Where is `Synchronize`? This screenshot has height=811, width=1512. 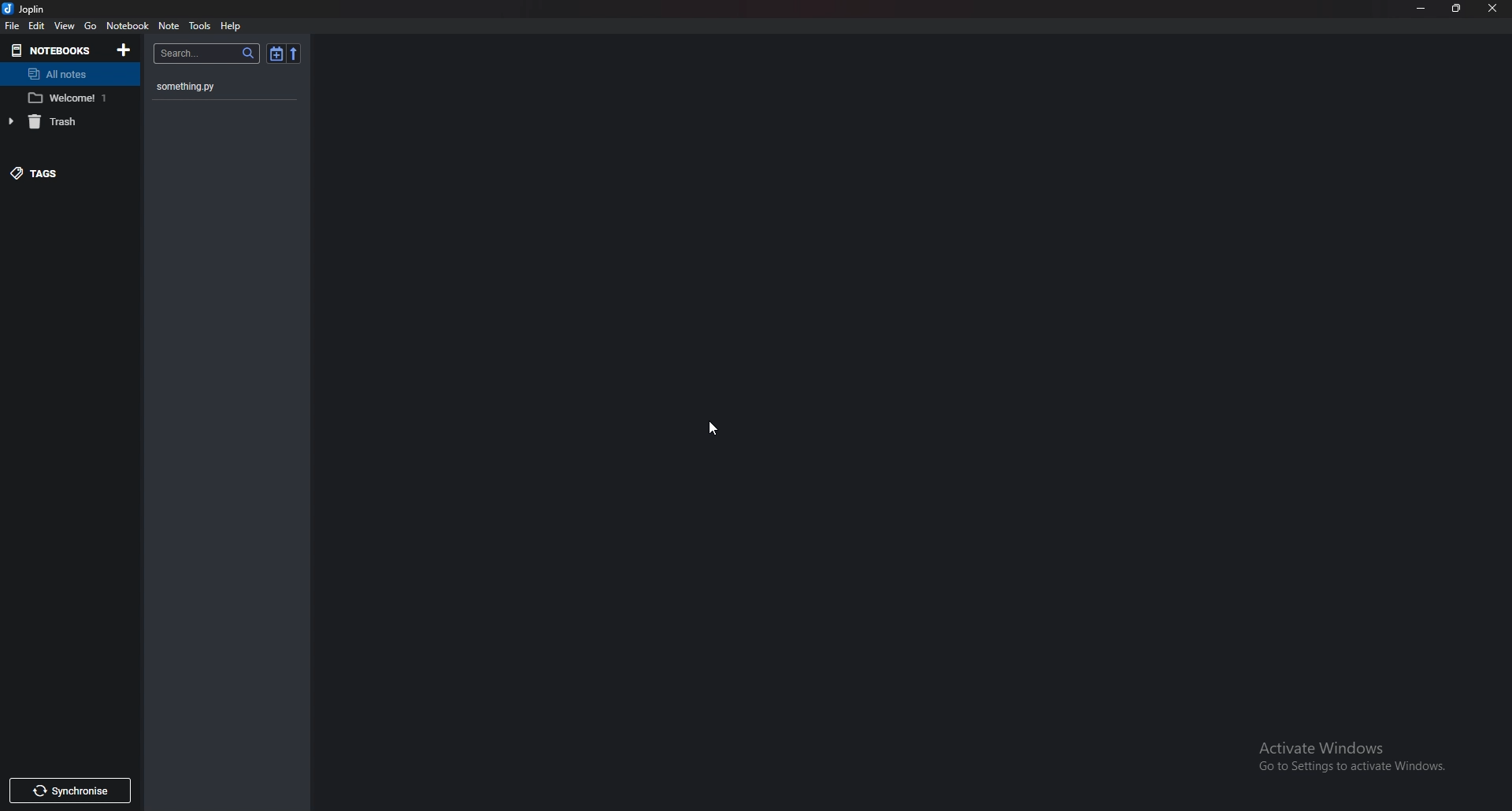
Synchronize is located at coordinates (69, 791).